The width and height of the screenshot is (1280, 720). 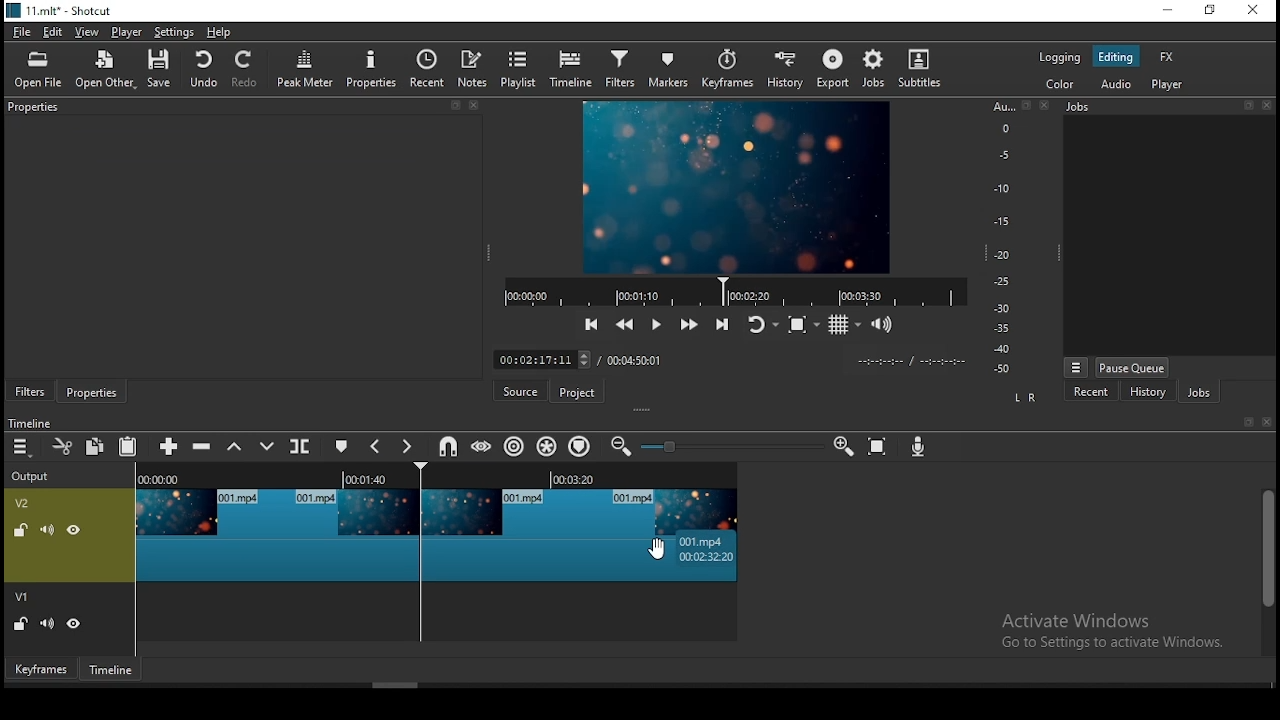 What do you see at coordinates (232, 447) in the screenshot?
I see `lift` at bounding box center [232, 447].